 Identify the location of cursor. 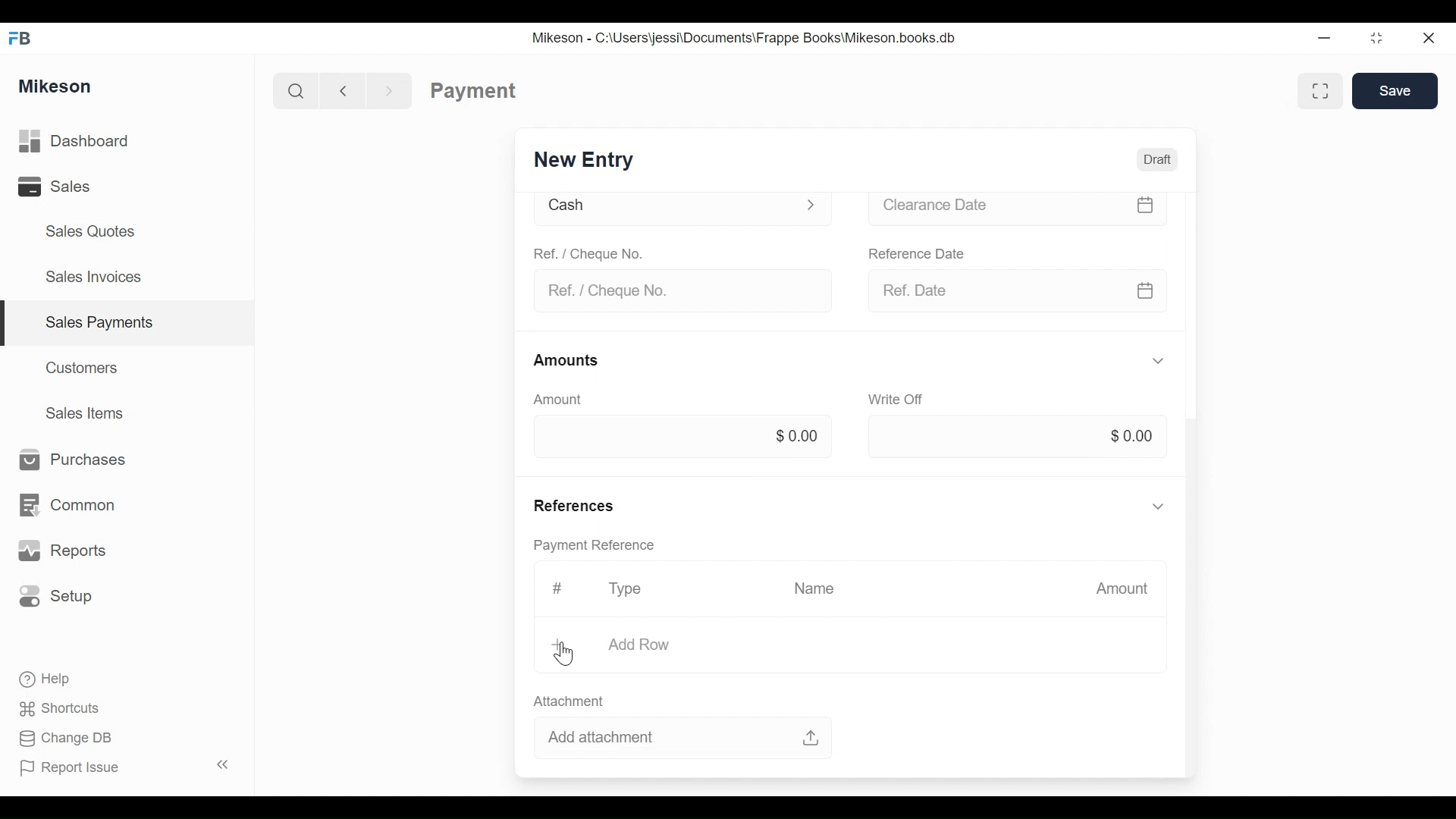
(569, 653).